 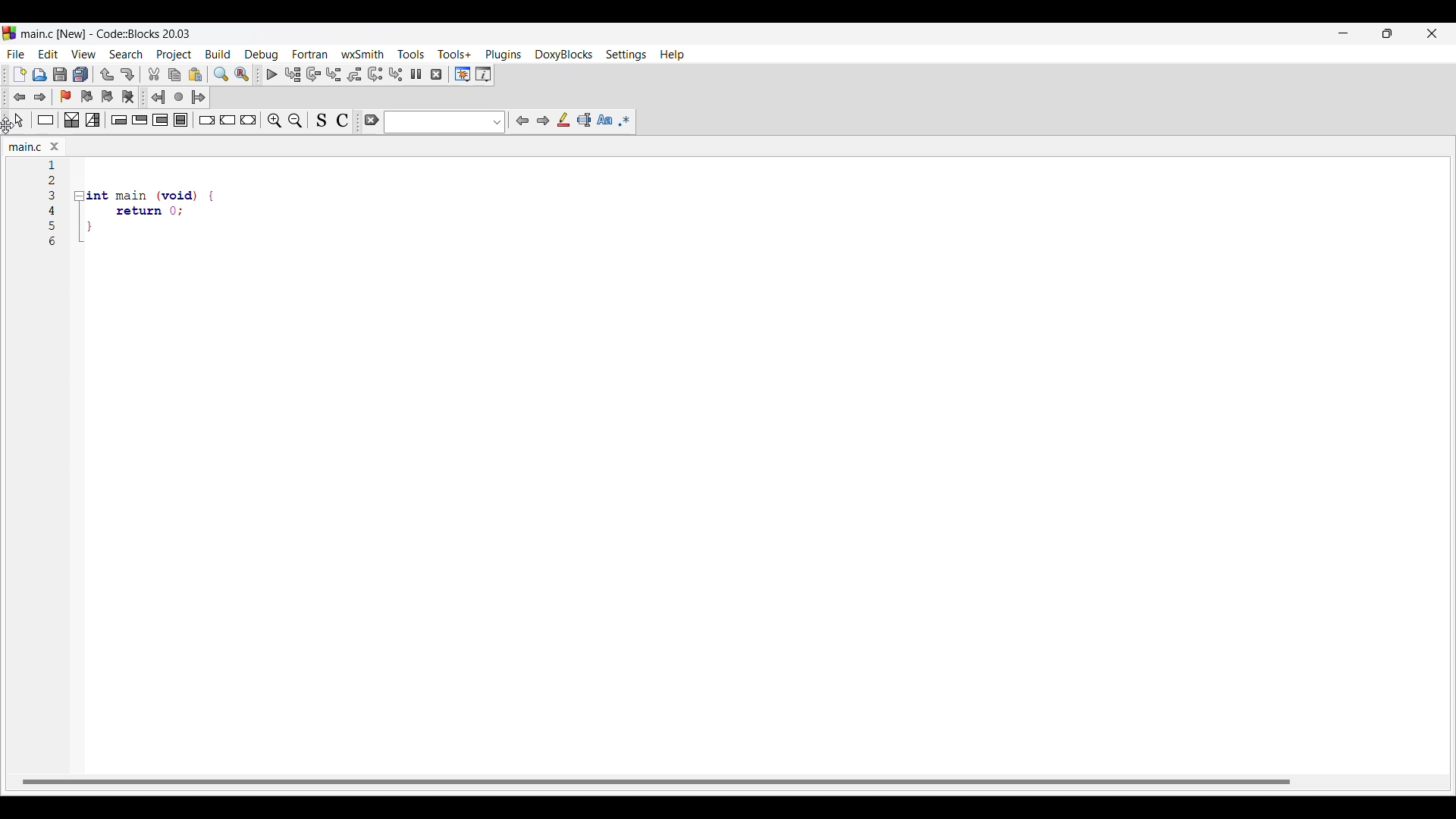 What do you see at coordinates (154, 74) in the screenshot?
I see `Cut` at bounding box center [154, 74].